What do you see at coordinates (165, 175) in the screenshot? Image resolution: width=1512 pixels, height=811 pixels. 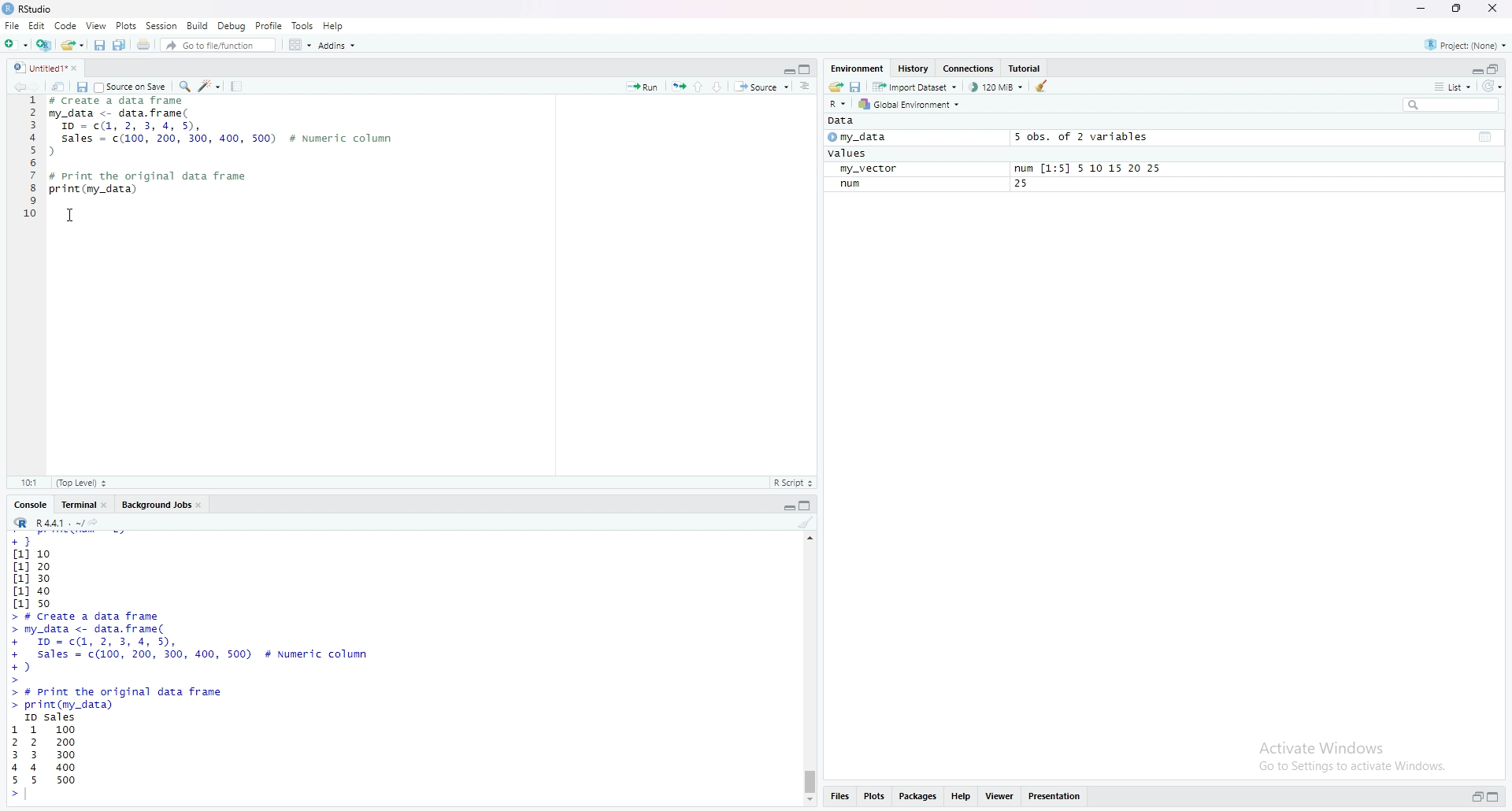 I see `# Print the original frame` at bounding box center [165, 175].